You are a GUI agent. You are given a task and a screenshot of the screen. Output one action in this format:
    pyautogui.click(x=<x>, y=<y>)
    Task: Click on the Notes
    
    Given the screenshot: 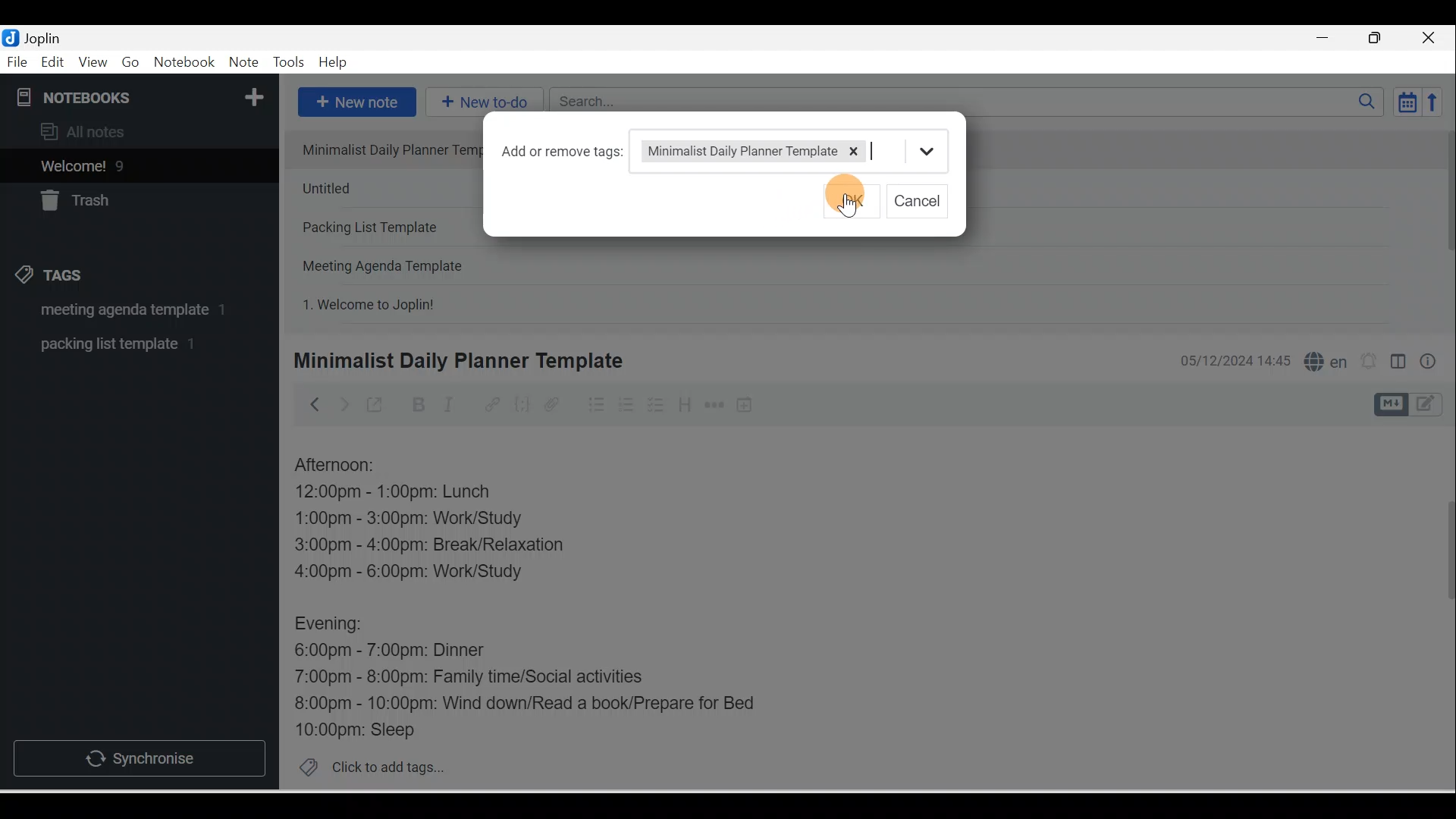 What is the action you would take?
    pyautogui.click(x=128, y=162)
    